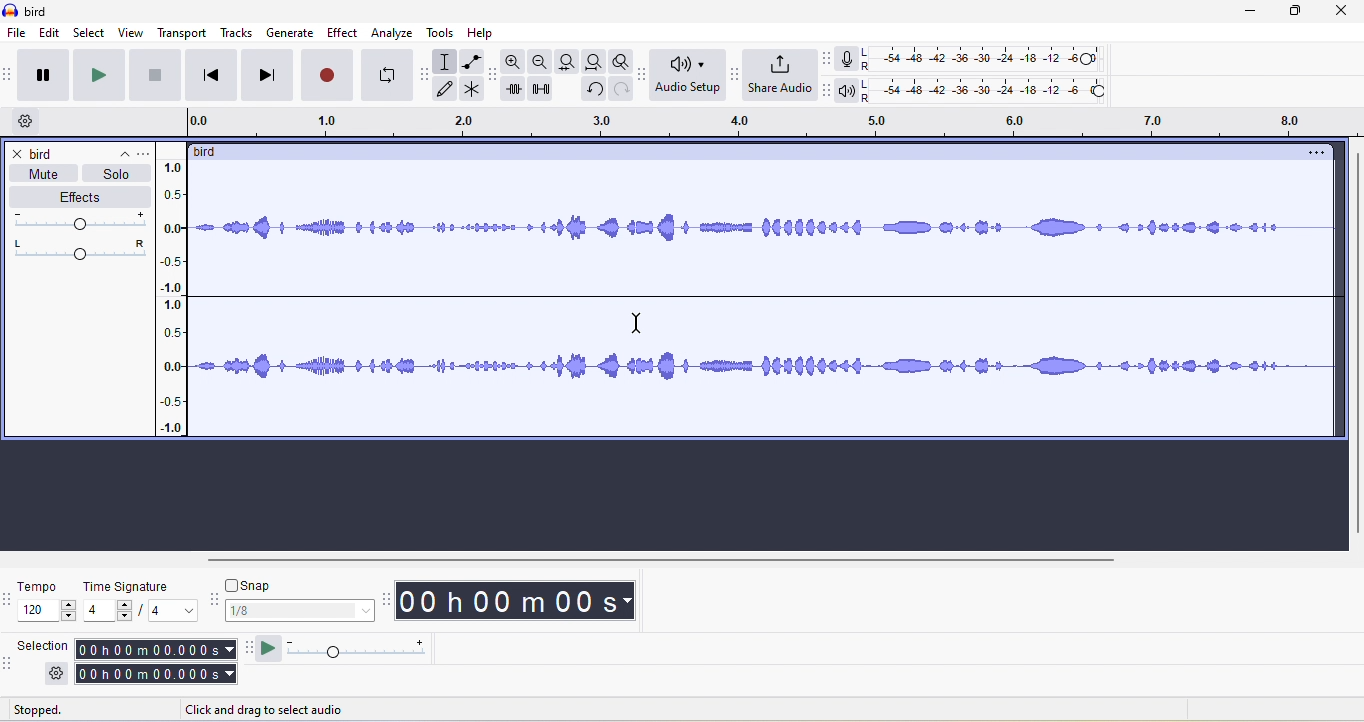 This screenshot has height=722, width=1364. Describe the element at coordinates (995, 57) in the screenshot. I see `recording level` at that location.